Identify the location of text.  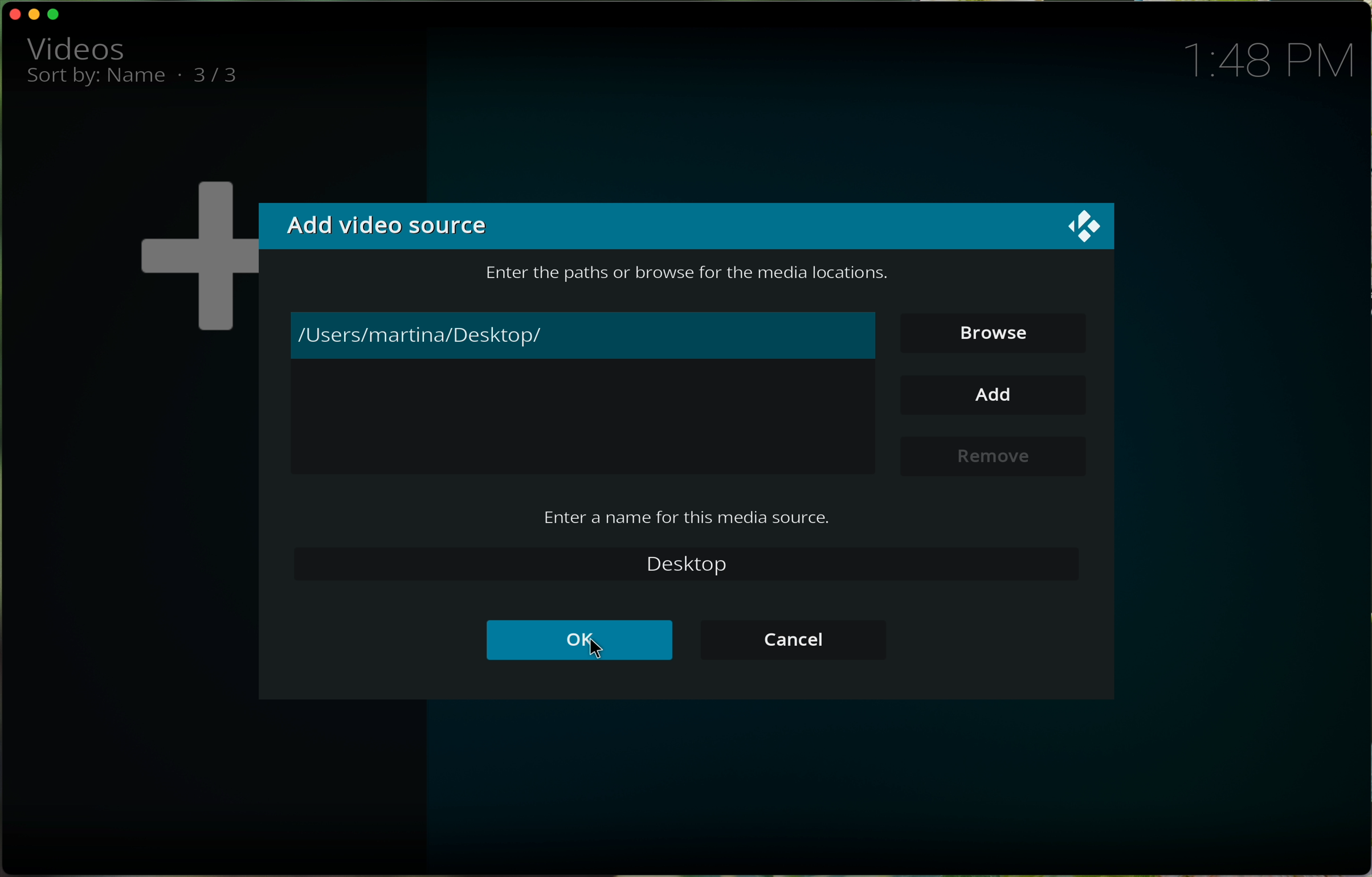
(691, 517).